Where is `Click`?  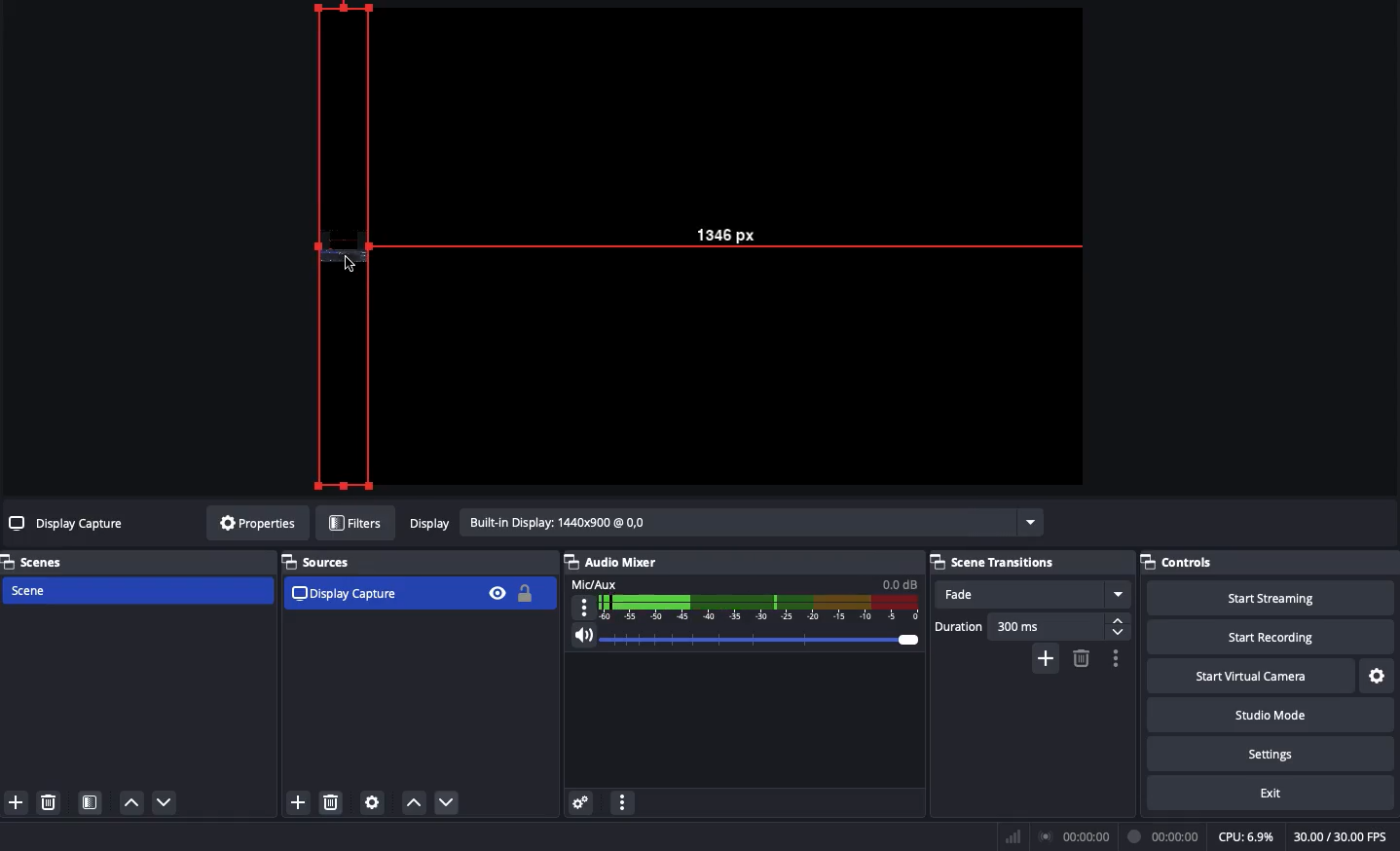 Click is located at coordinates (351, 263).